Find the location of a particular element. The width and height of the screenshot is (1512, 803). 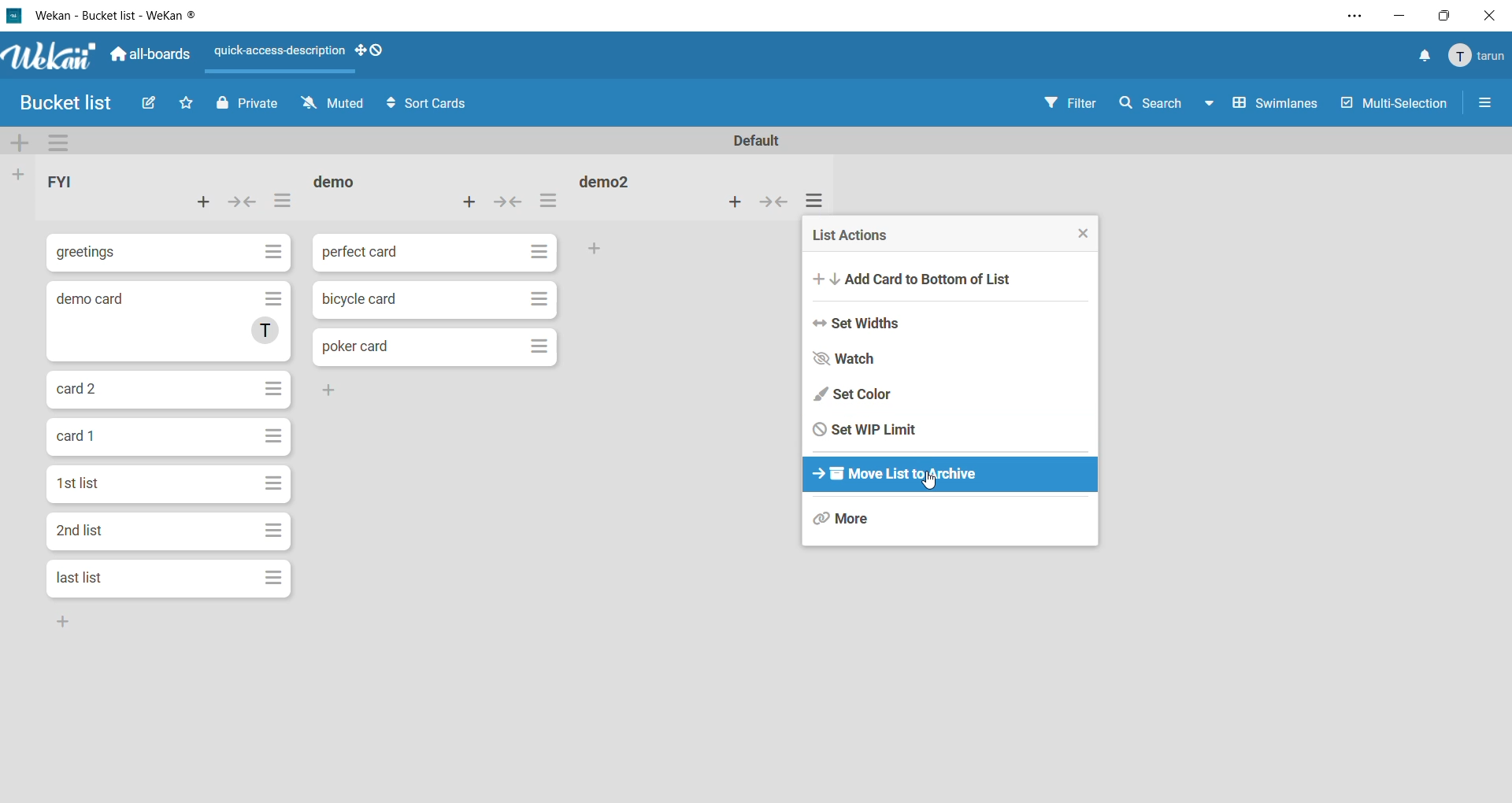

cards is located at coordinates (434, 301).